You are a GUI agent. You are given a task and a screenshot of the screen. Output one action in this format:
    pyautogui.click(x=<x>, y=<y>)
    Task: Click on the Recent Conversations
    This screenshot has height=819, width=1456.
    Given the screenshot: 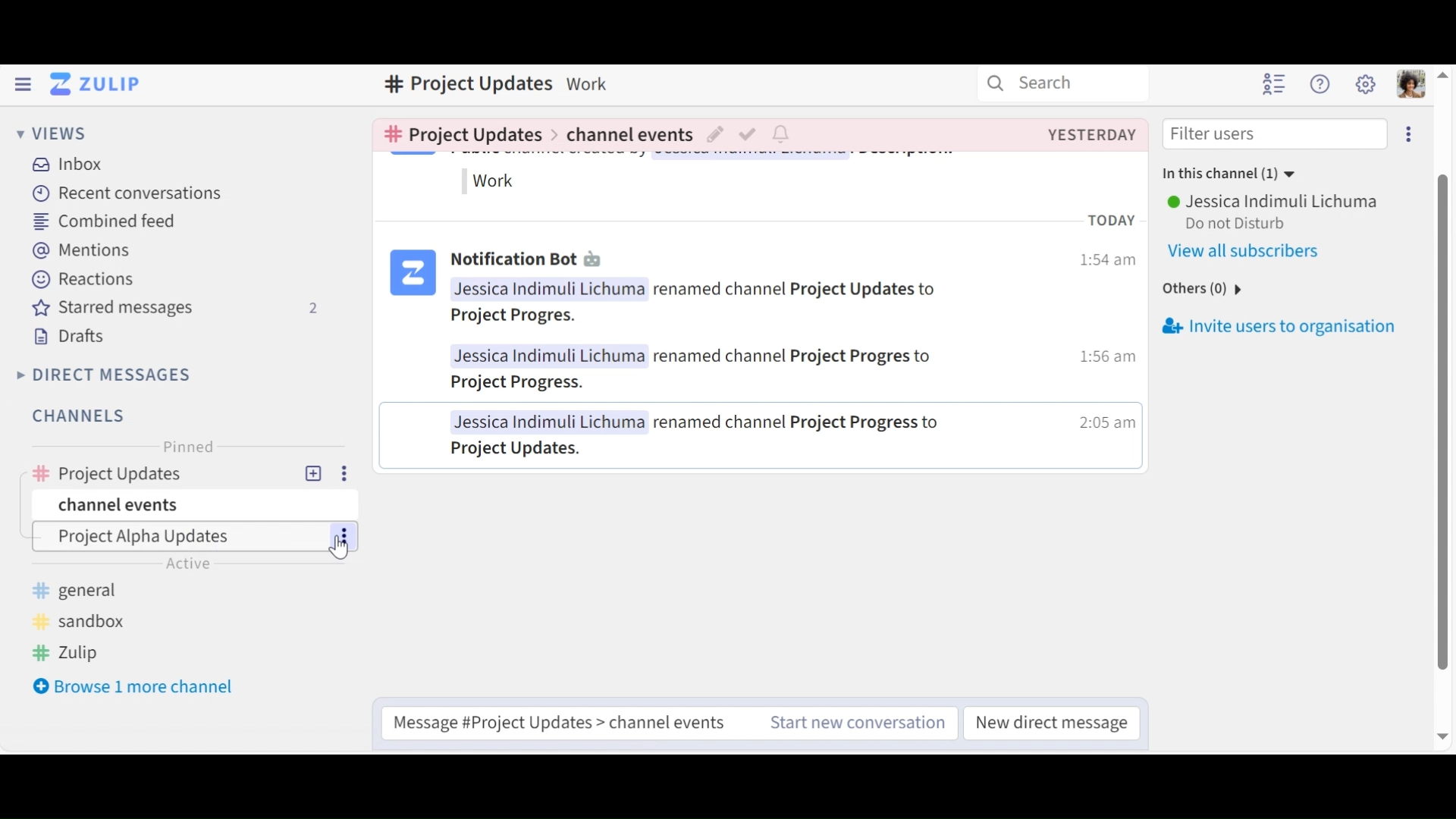 What is the action you would take?
    pyautogui.click(x=122, y=193)
    